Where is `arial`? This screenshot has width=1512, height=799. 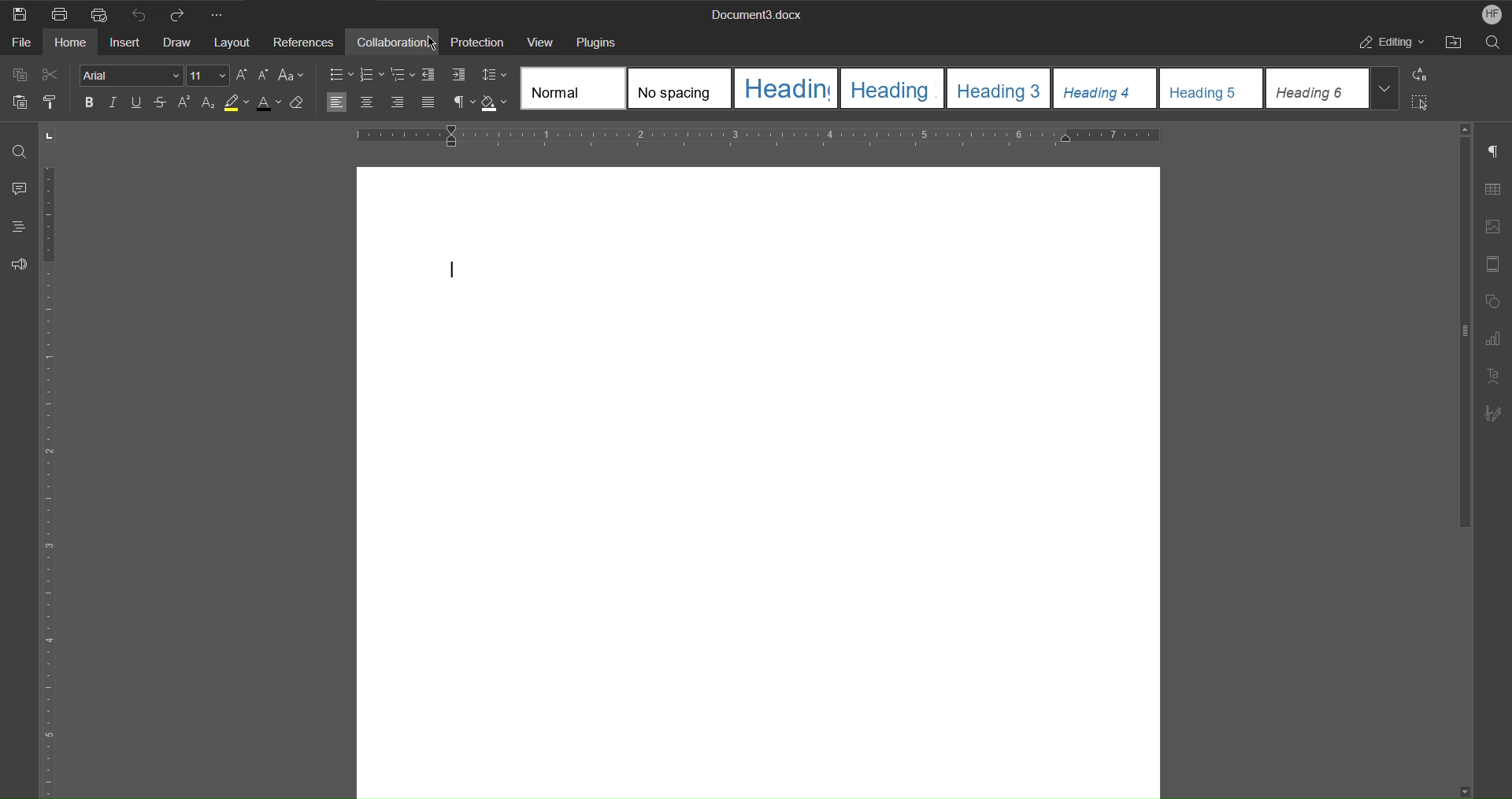 arial is located at coordinates (132, 76).